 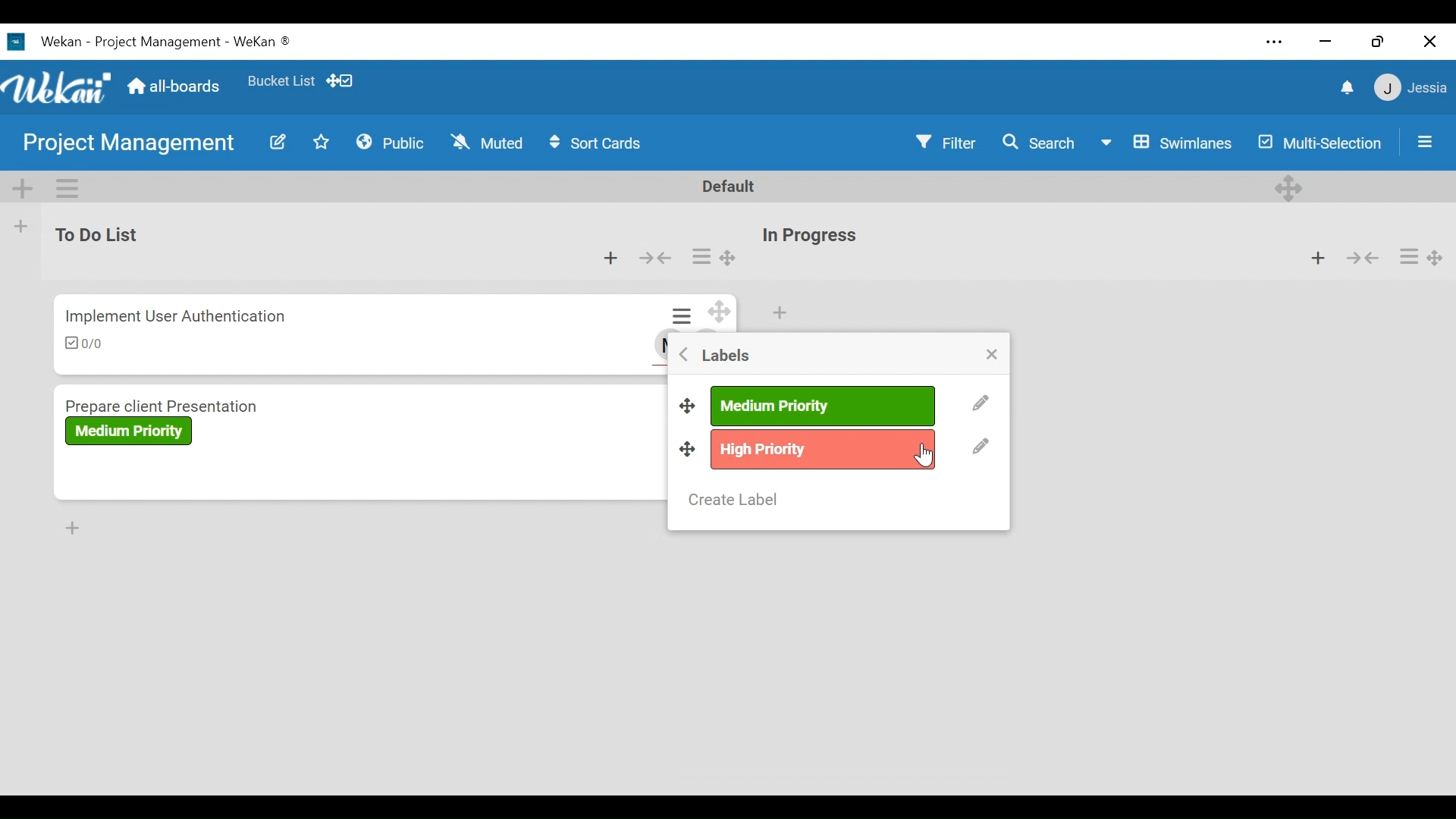 I want to click on label, so click(x=822, y=406).